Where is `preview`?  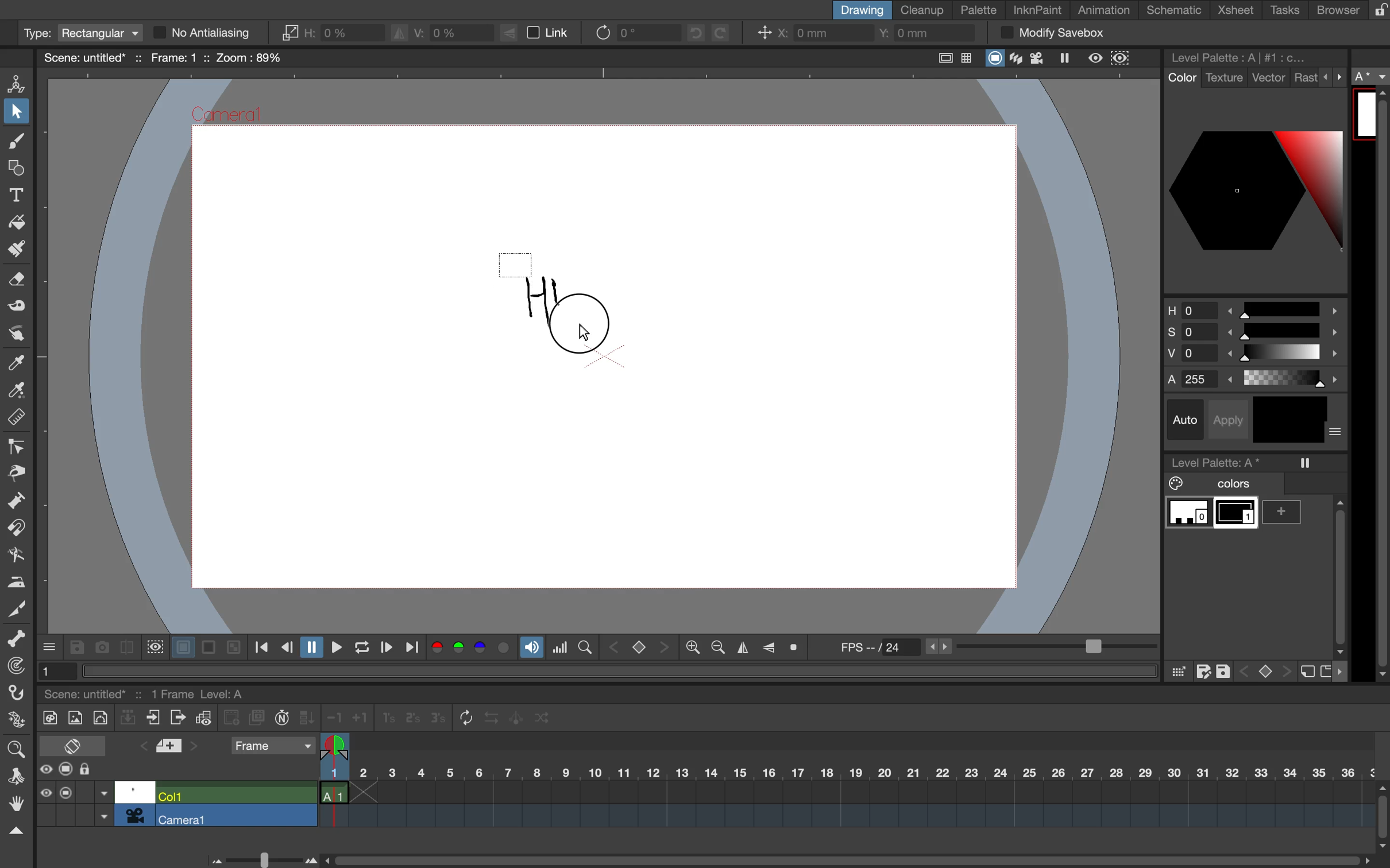
preview is located at coordinates (1096, 57).